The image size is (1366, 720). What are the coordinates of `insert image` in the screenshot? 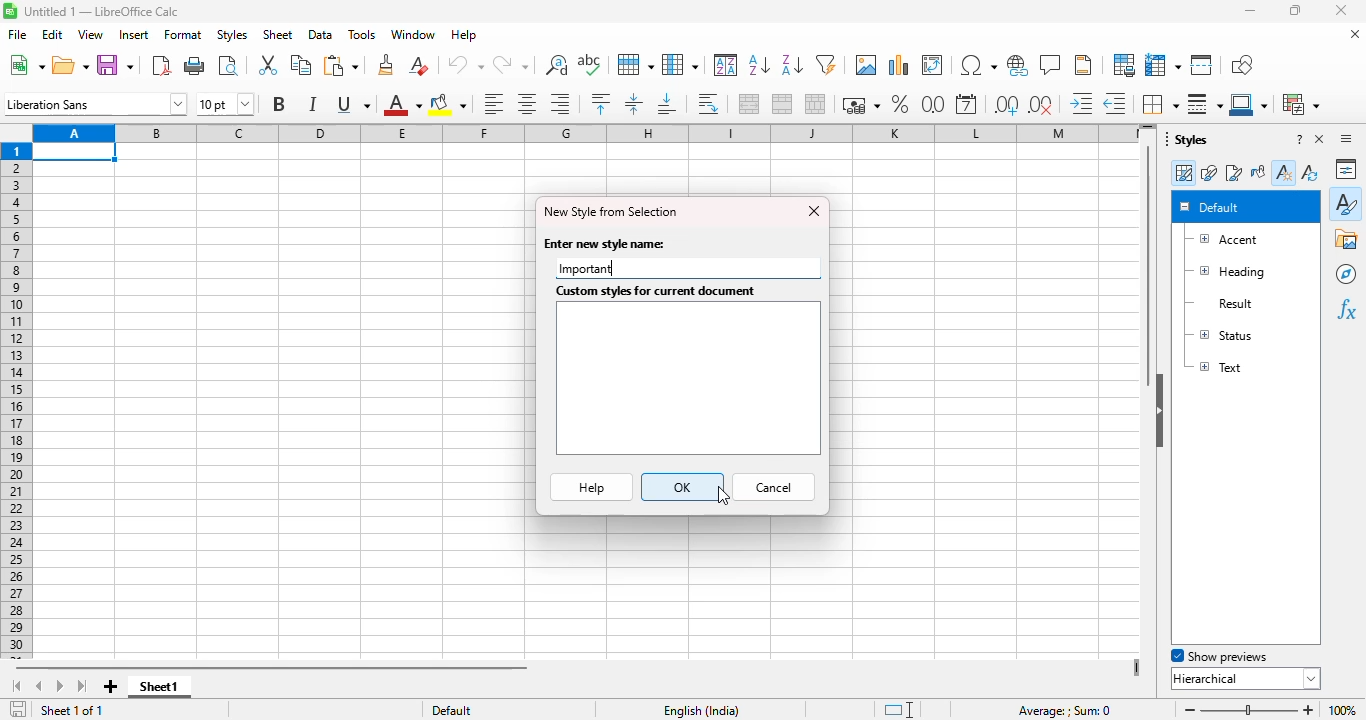 It's located at (867, 65).